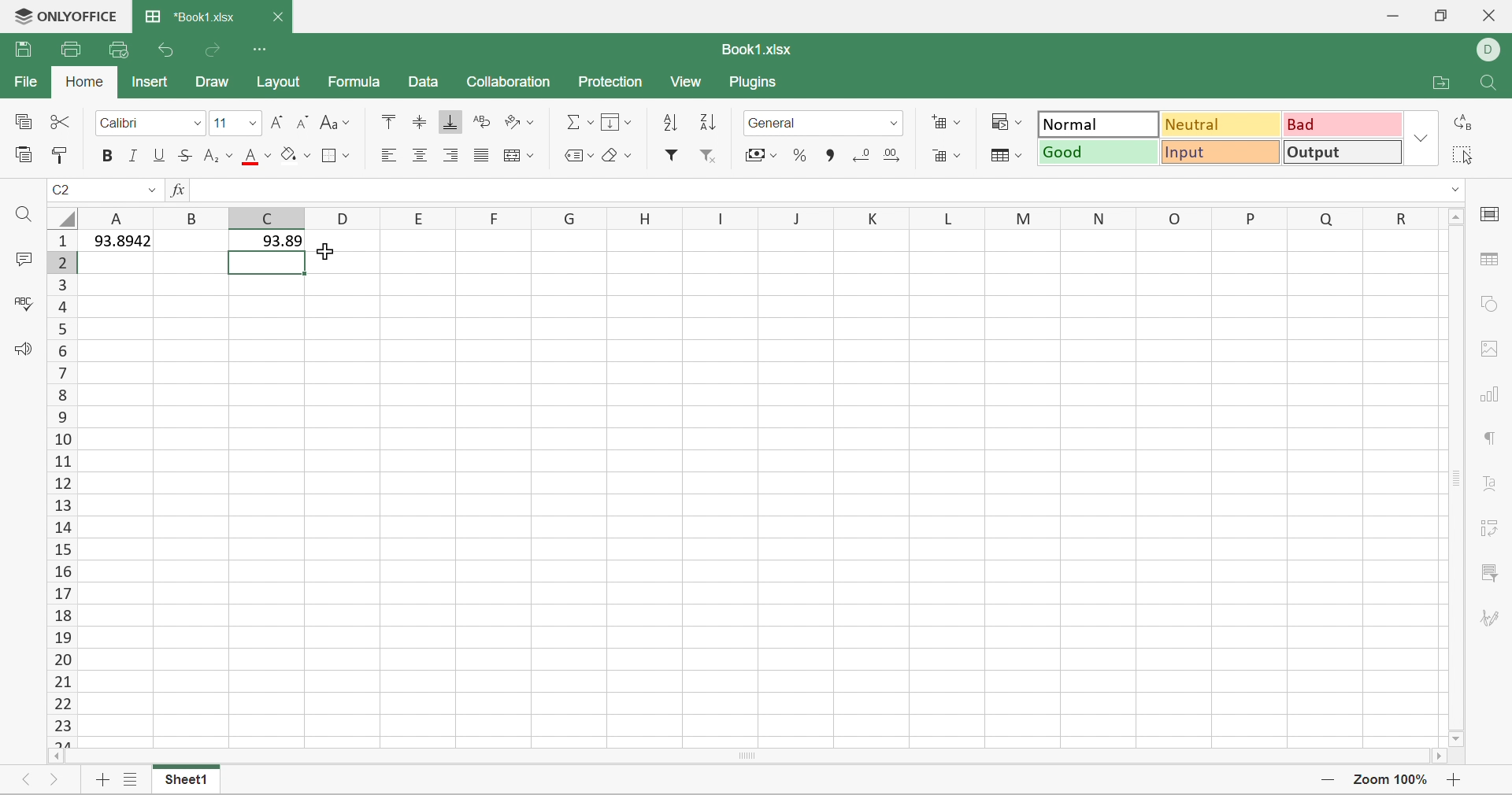 This screenshot has height=795, width=1512. Describe the element at coordinates (53, 782) in the screenshot. I see `Next` at that location.